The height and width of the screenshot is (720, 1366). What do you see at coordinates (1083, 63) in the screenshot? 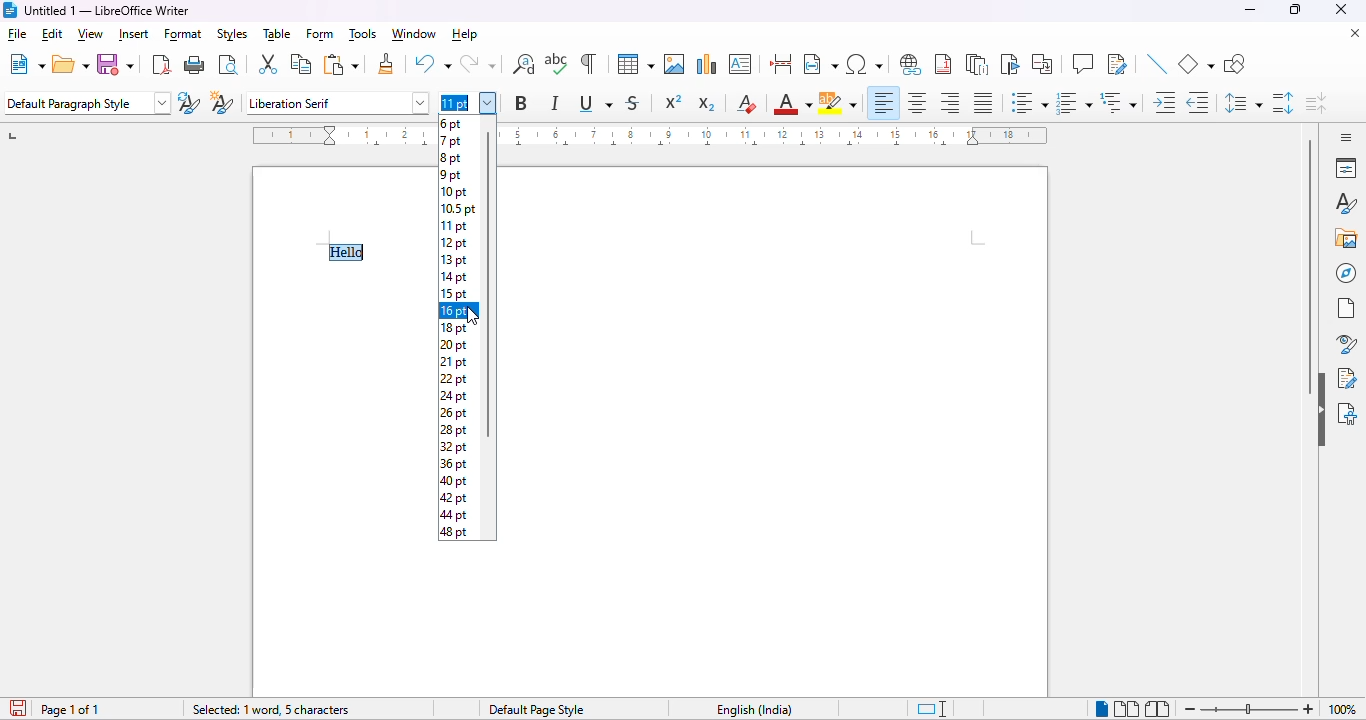
I see `insert comment` at bounding box center [1083, 63].